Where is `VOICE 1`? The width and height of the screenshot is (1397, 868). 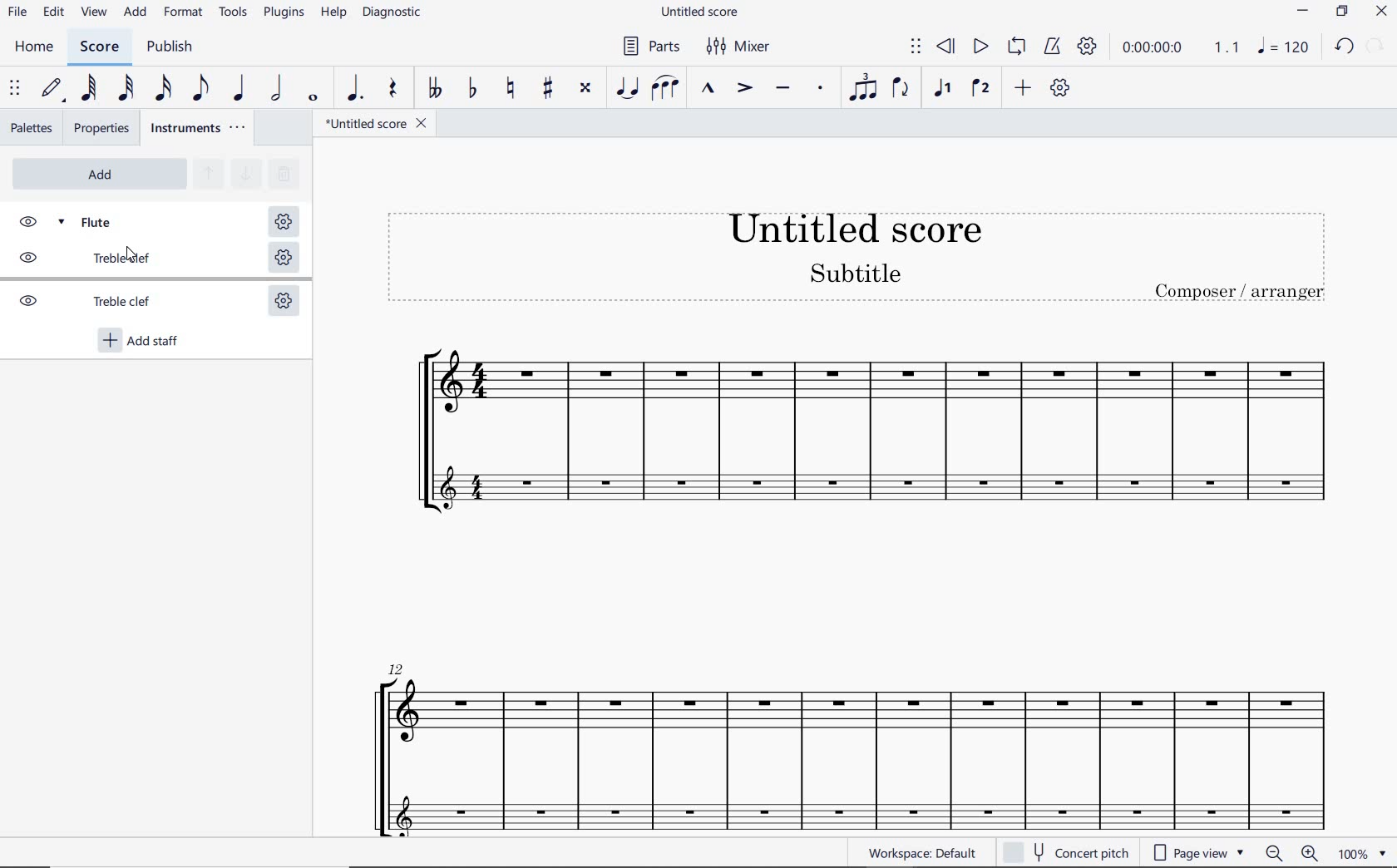 VOICE 1 is located at coordinates (941, 90).